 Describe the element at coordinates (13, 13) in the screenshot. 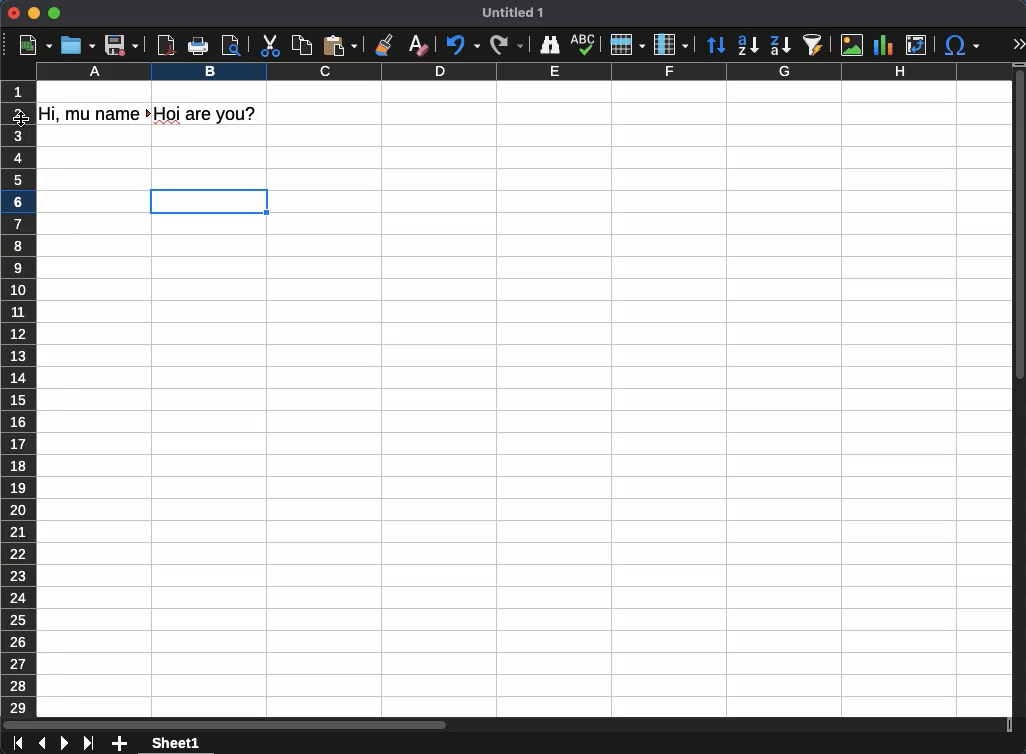

I see `close` at that location.